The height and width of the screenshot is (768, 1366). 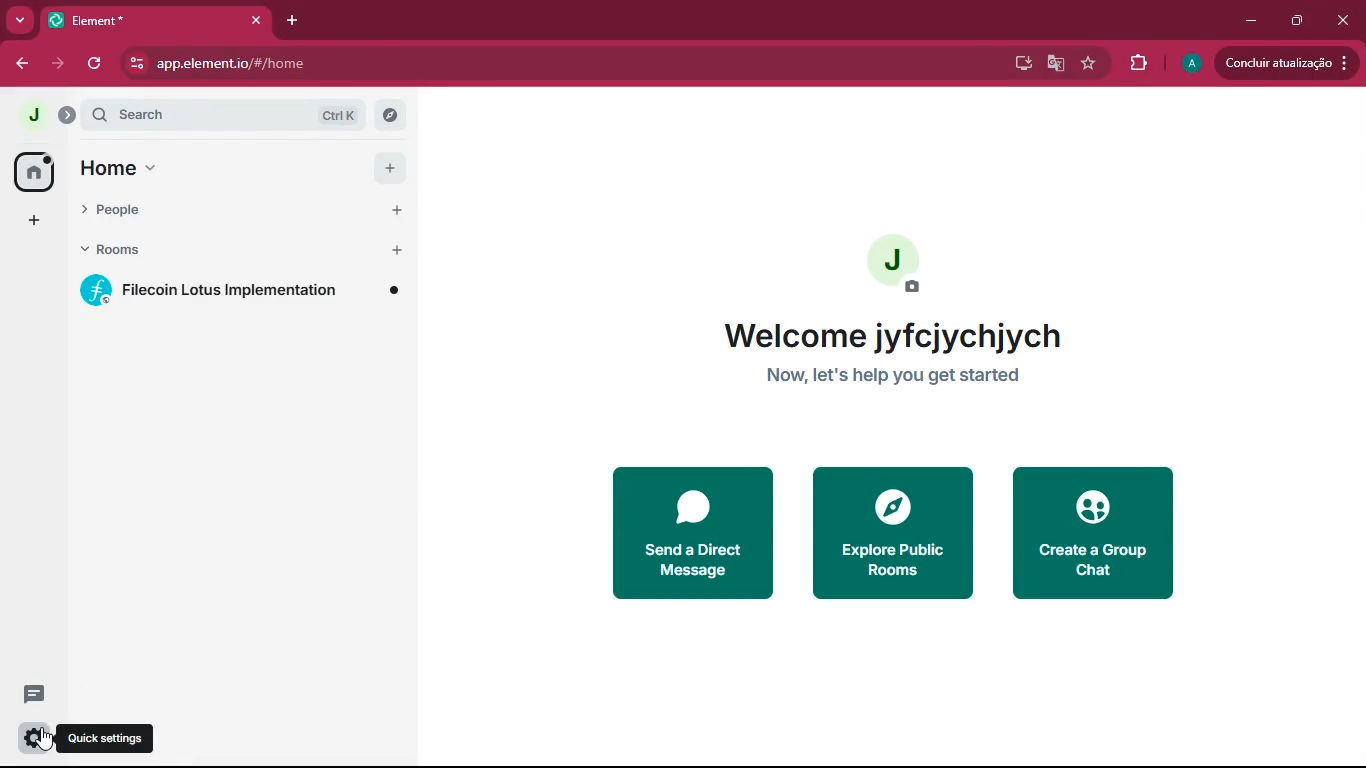 What do you see at coordinates (1141, 63) in the screenshot?
I see `extension` at bounding box center [1141, 63].